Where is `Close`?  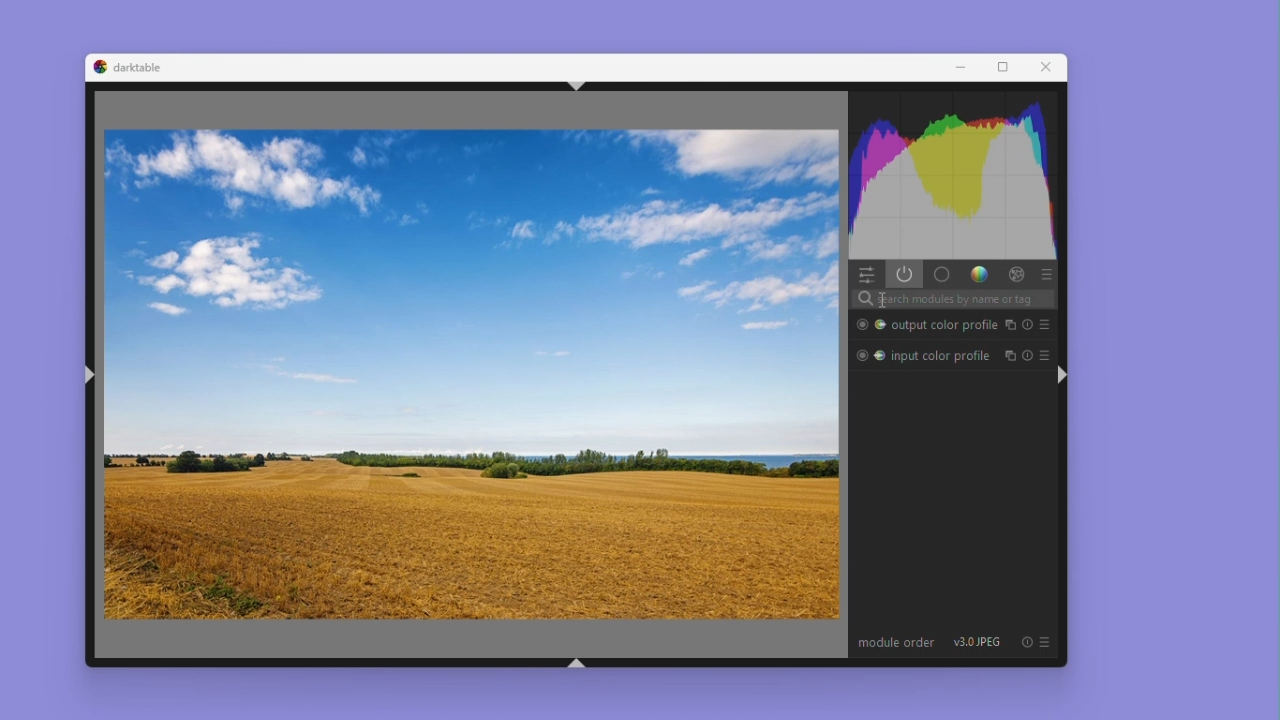 Close is located at coordinates (1048, 68).